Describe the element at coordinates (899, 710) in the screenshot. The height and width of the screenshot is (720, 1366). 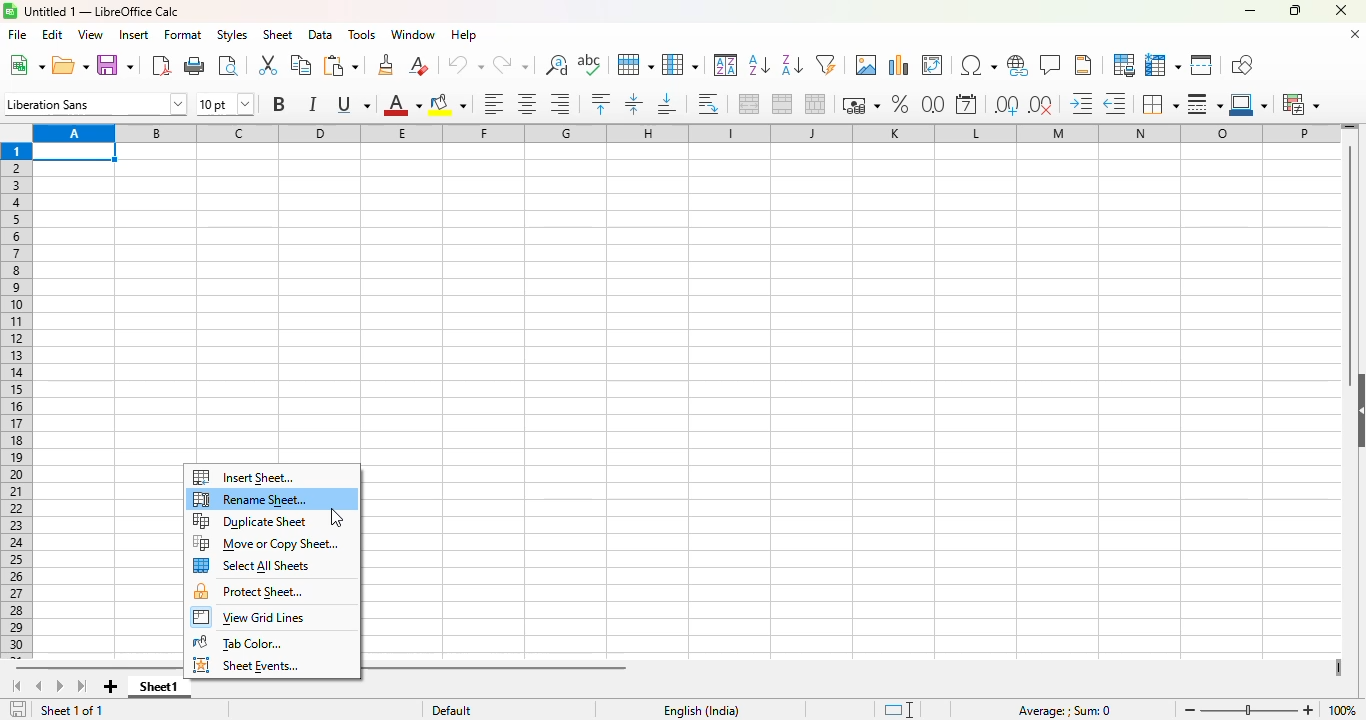
I see `standard selection` at that location.